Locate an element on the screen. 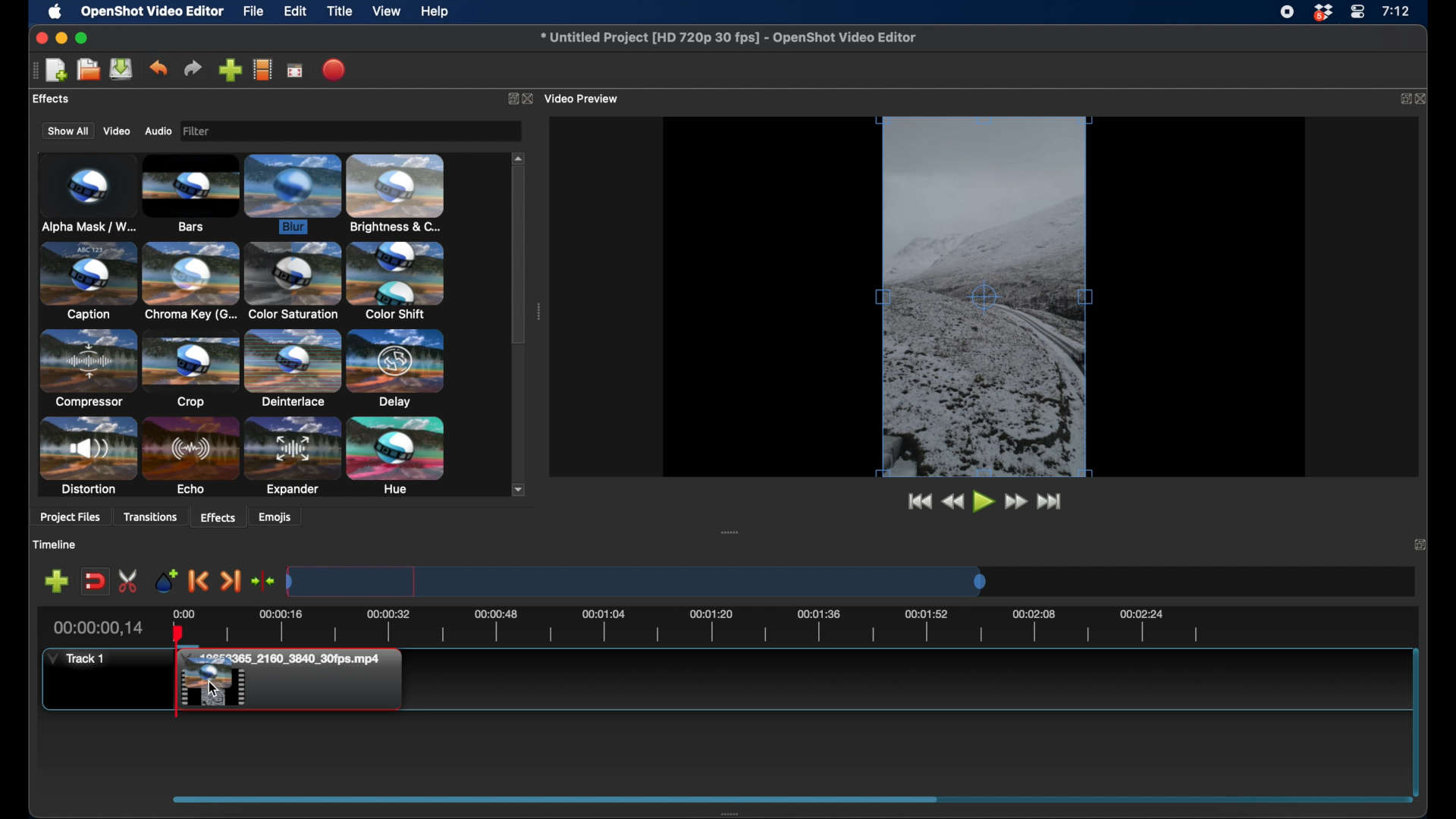 This screenshot has width=1456, height=819. video is located at coordinates (115, 131).